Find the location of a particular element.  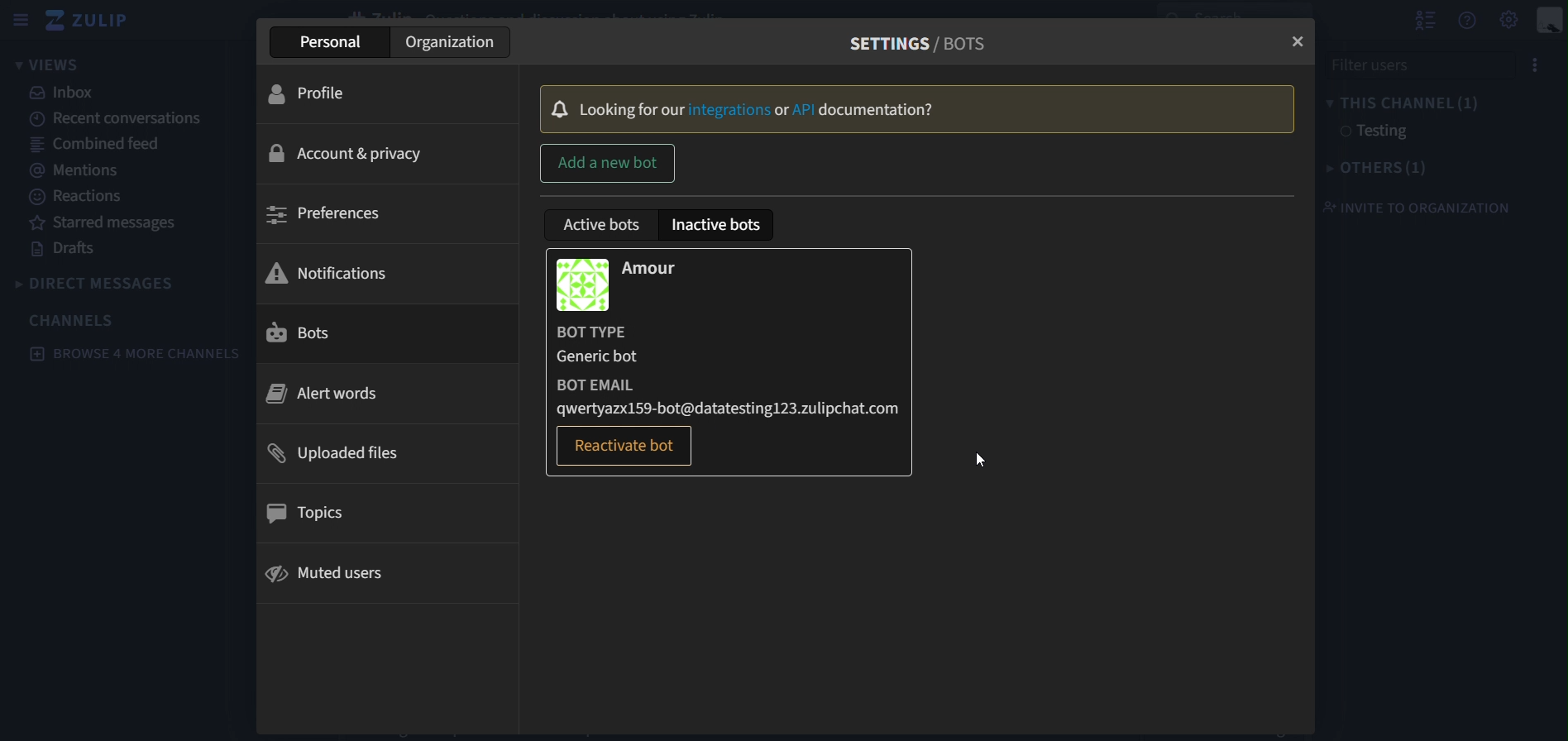

account & privacy is located at coordinates (339, 154).